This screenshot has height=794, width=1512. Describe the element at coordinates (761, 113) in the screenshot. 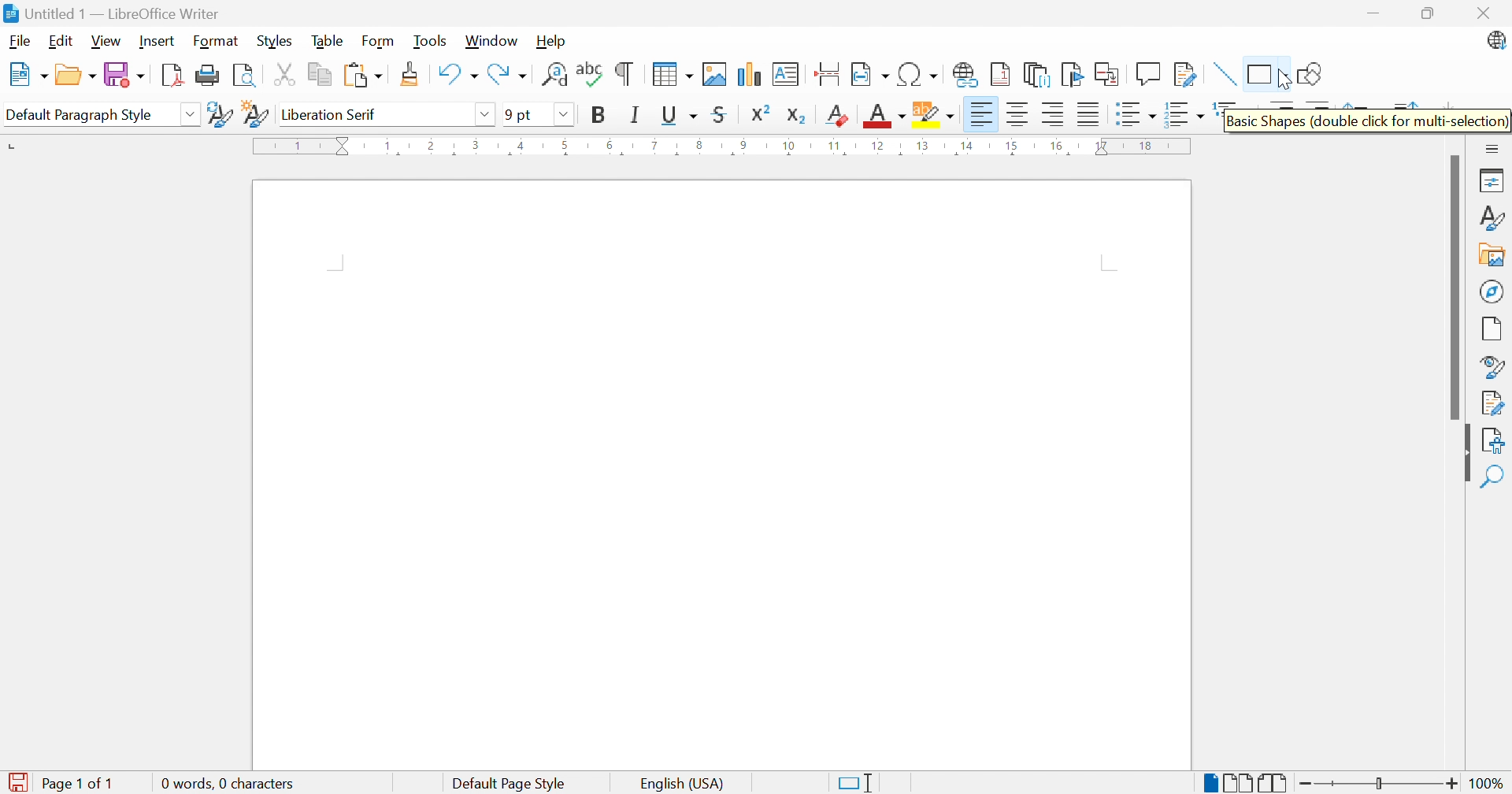

I see `Superscript` at that location.